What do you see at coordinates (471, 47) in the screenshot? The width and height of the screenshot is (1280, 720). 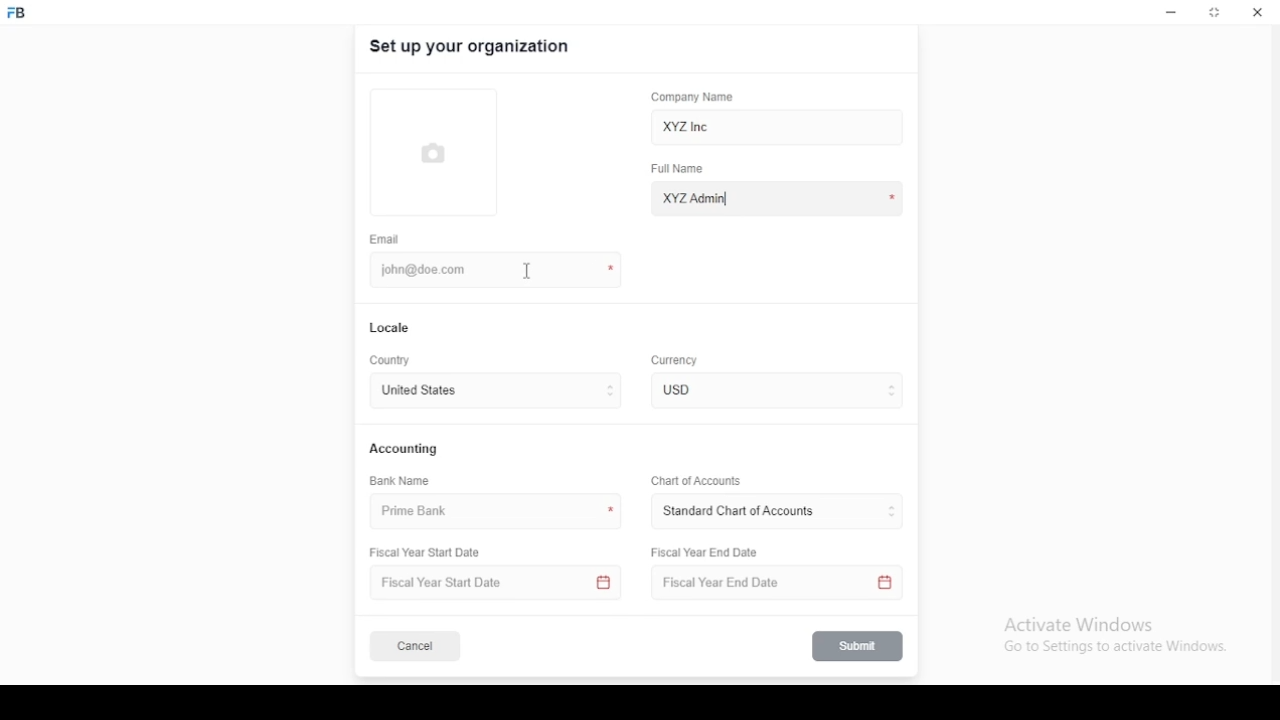 I see `set up your organization` at bounding box center [471, 47].